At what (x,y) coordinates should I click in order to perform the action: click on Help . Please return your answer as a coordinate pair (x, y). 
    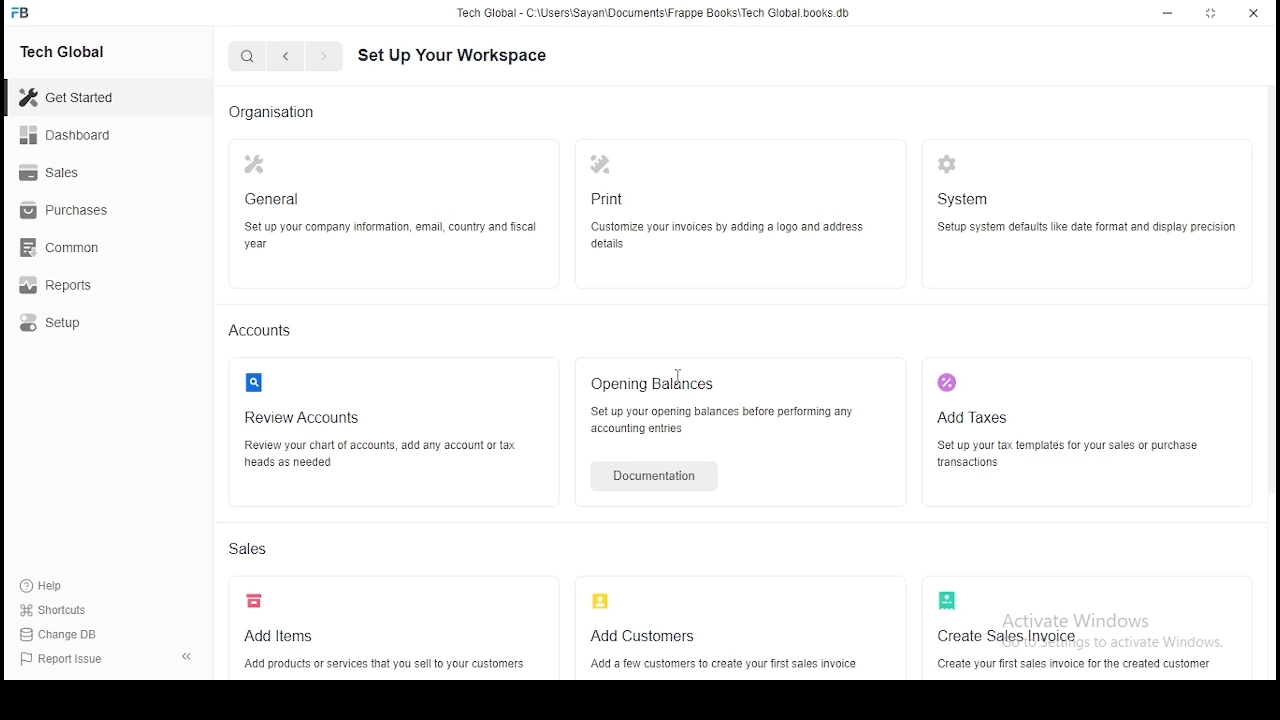
    Looking at the image, I should click on (41, 586).